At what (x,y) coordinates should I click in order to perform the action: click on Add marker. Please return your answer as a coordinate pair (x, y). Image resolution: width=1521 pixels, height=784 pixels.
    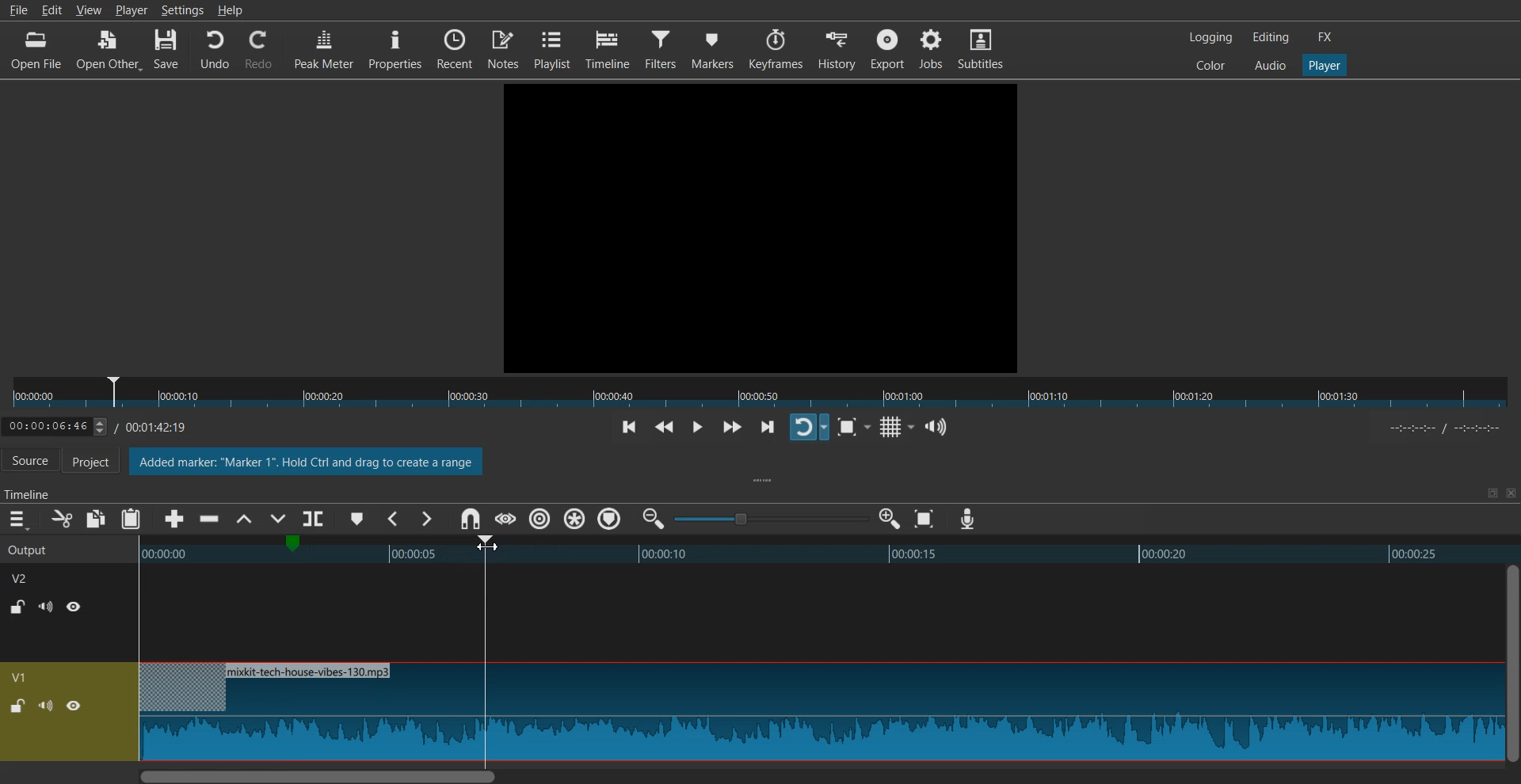
    Looking at the image, I should click on (357, 519).